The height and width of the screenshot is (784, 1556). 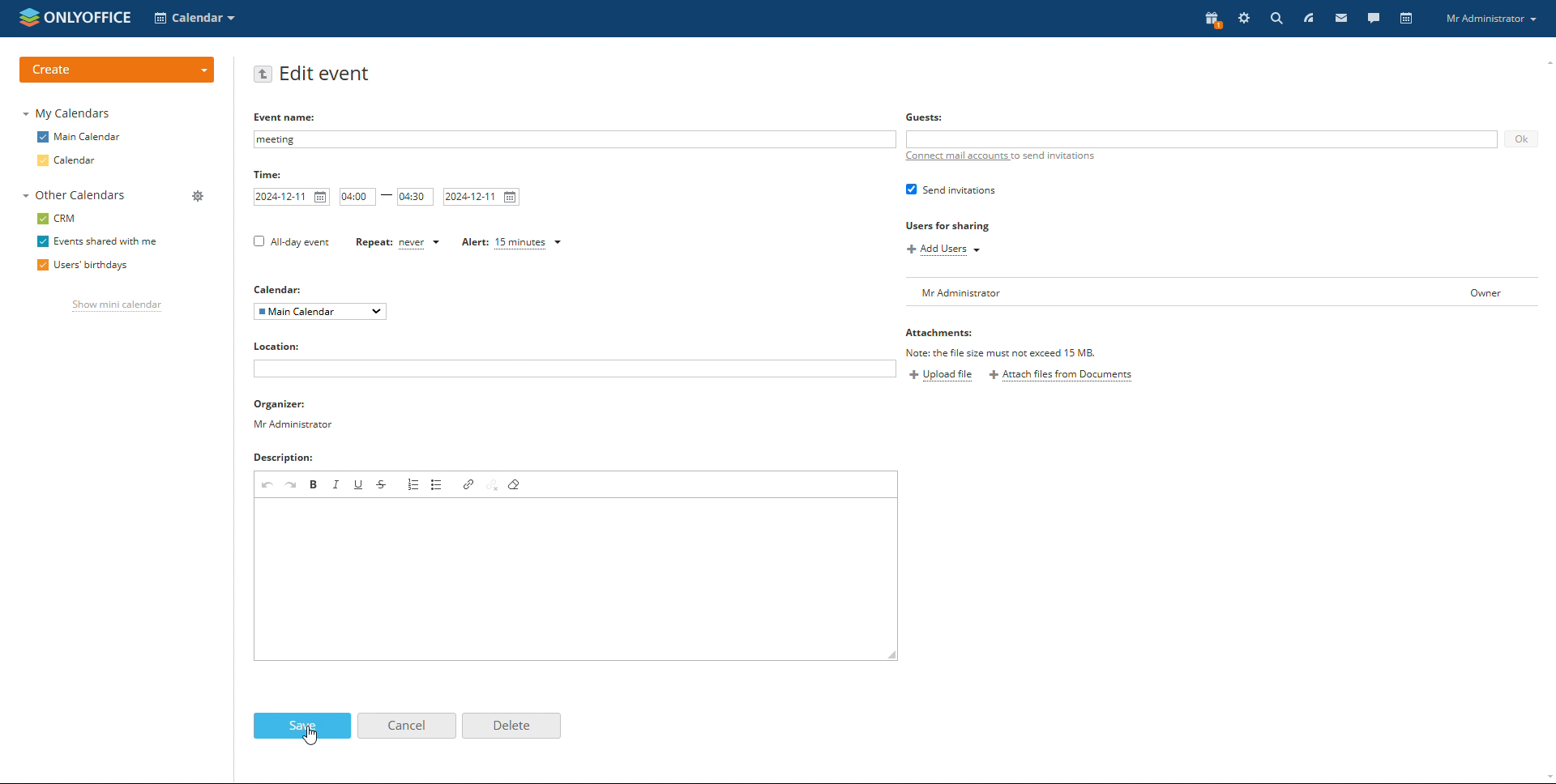 I want to click on upload files, so click(x=941, y=376).